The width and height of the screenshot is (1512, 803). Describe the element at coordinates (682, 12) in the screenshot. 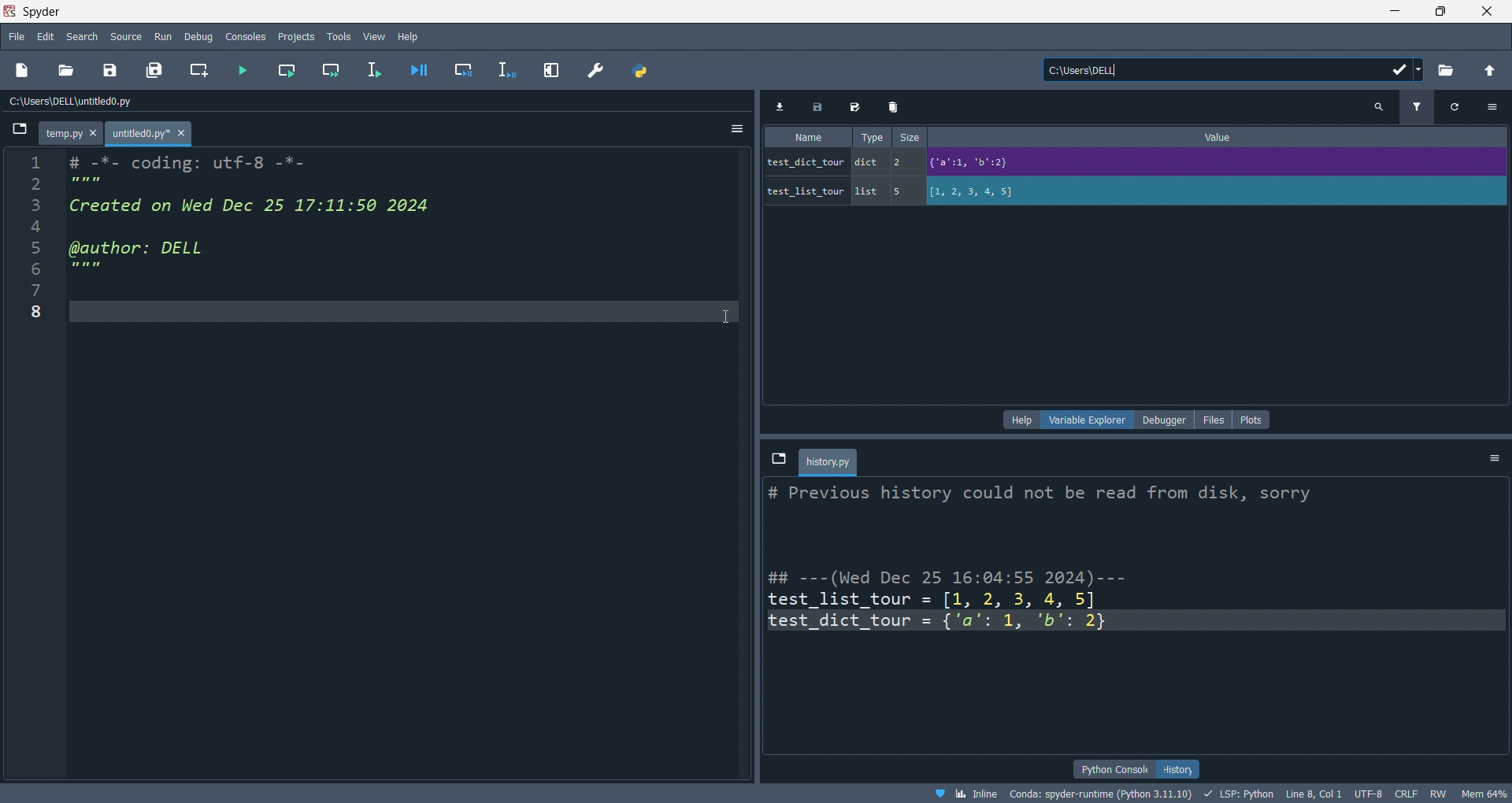

I see `Spyder` at that location.